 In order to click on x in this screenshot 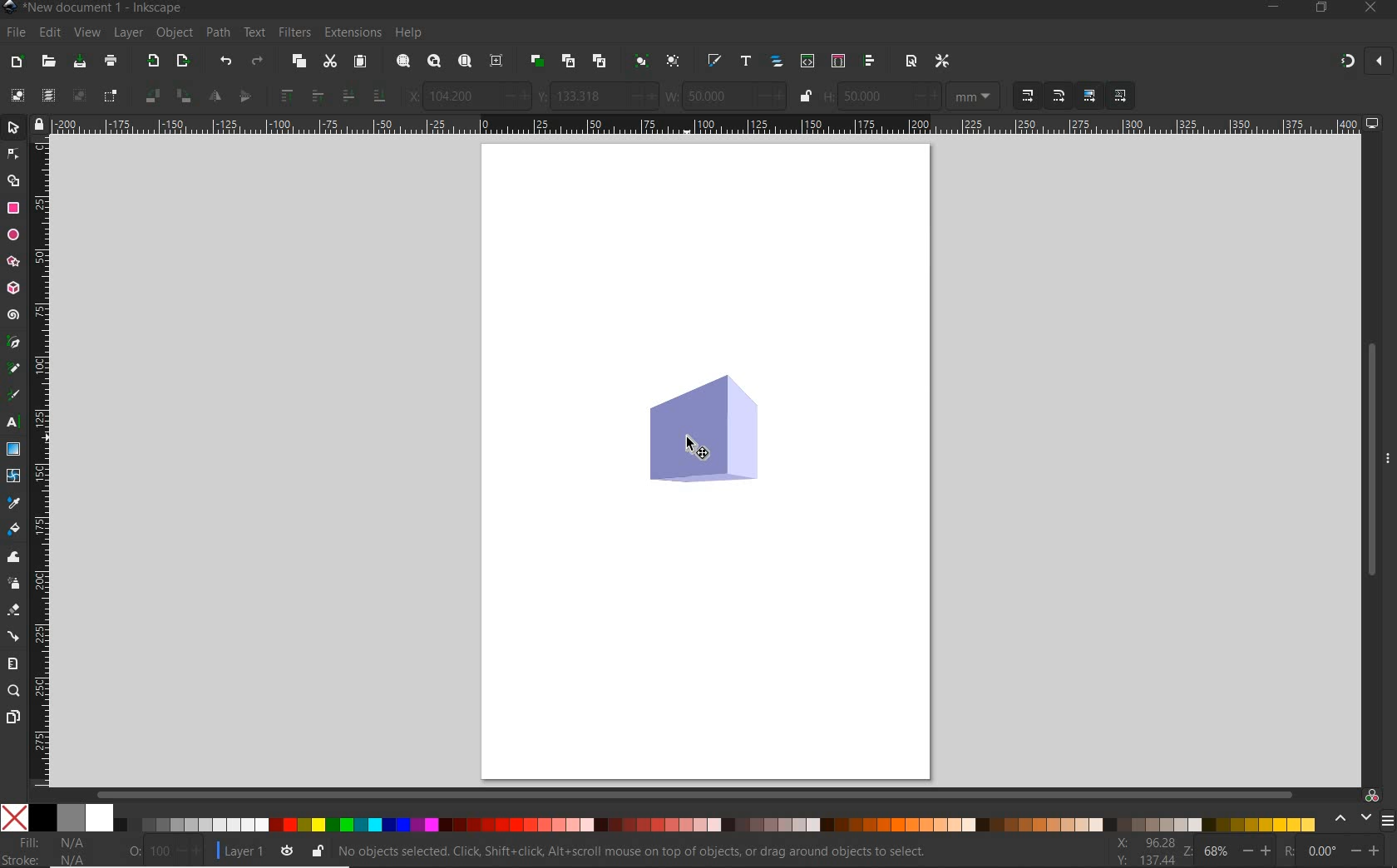, I will do `click(409, 94)`.